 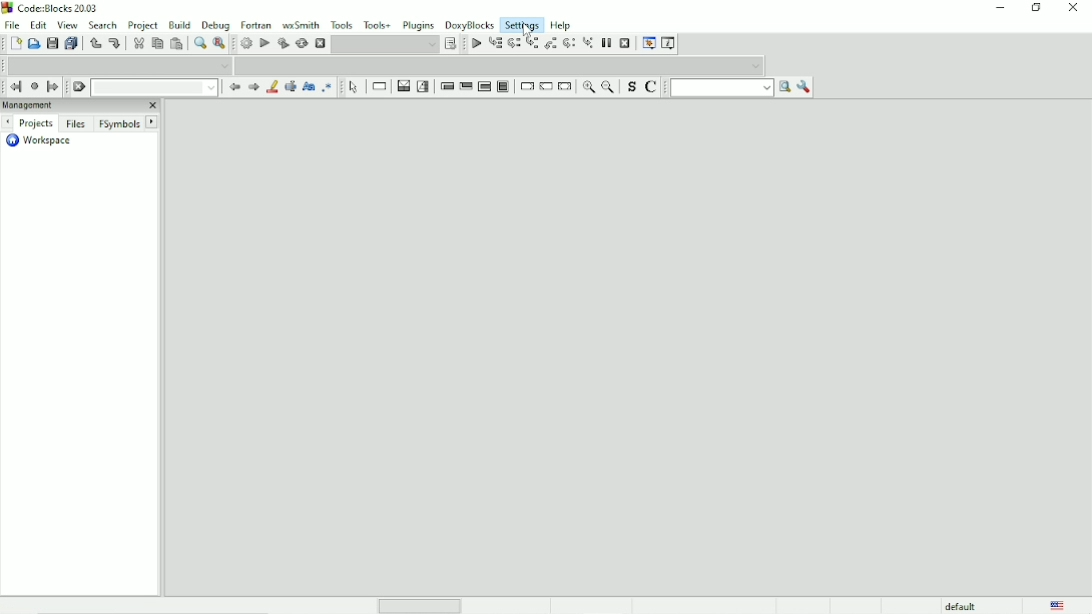 I want to click on Maximize, so click(x=1035, y=8).